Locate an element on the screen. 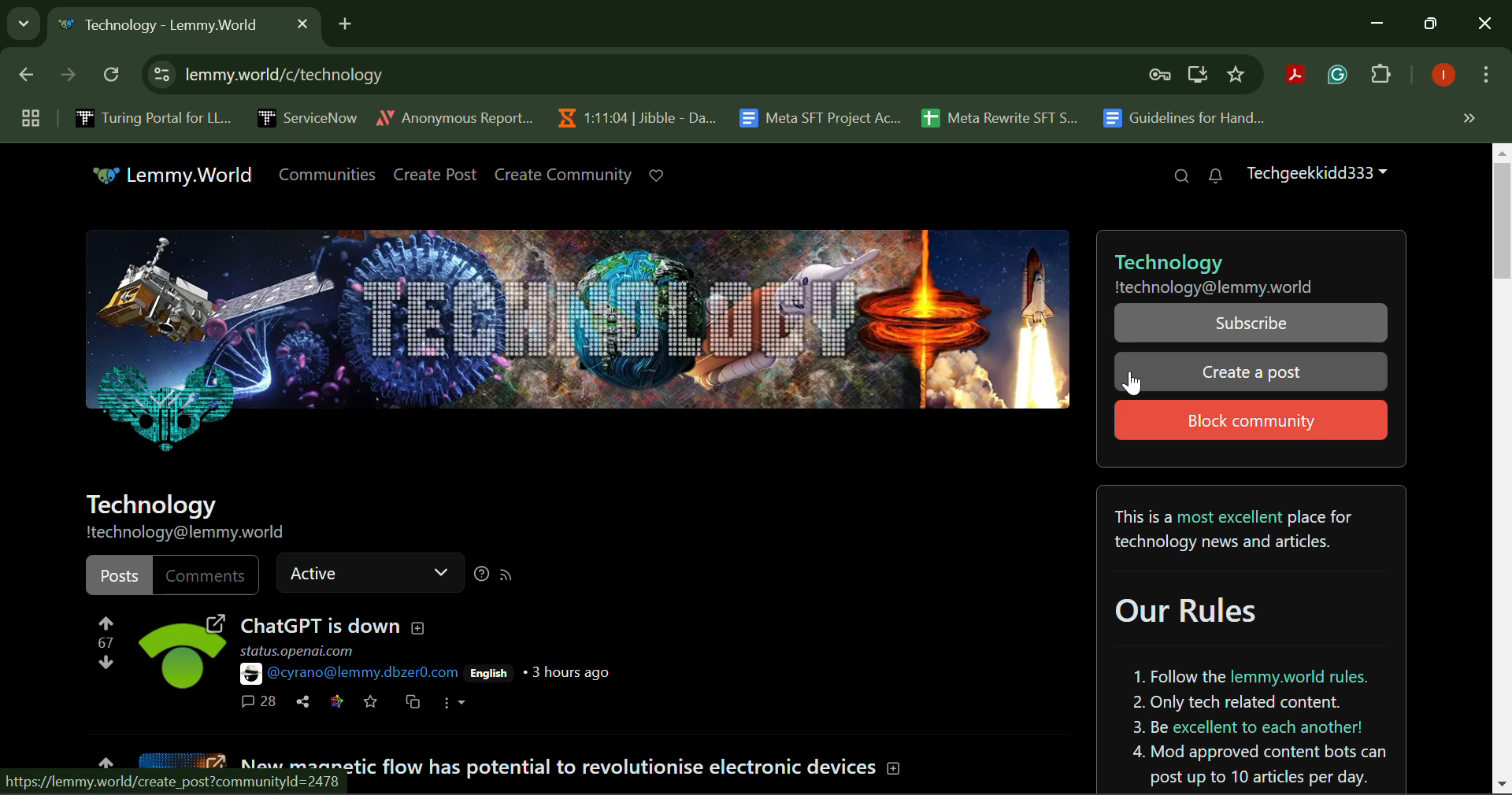  Cursor Position is located at coordinates (1133, 383).